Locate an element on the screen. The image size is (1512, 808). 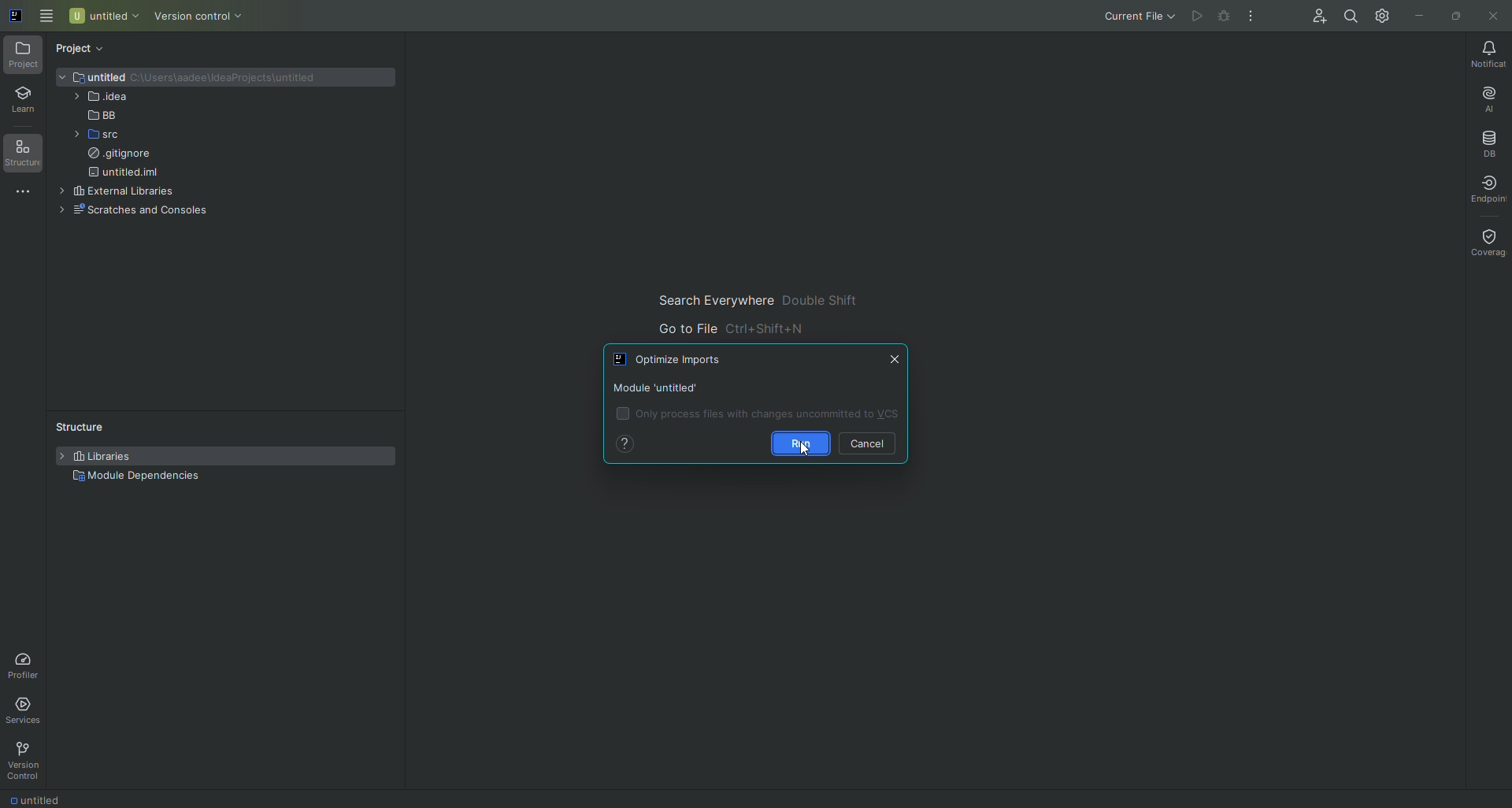
Learn is located at coordinates (23, 102).